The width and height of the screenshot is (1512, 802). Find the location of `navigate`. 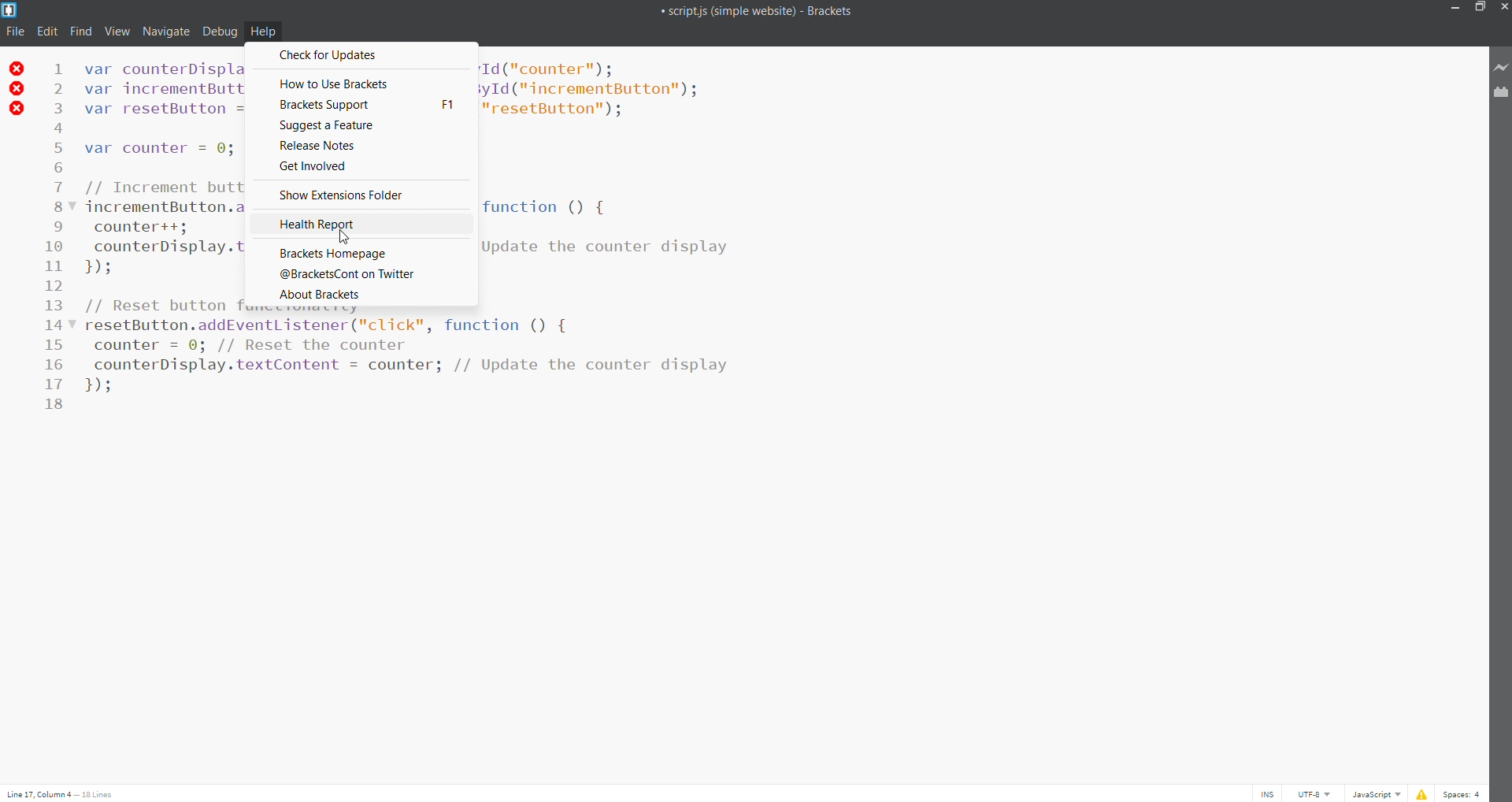

navigate is located at coordinates (165, 32).